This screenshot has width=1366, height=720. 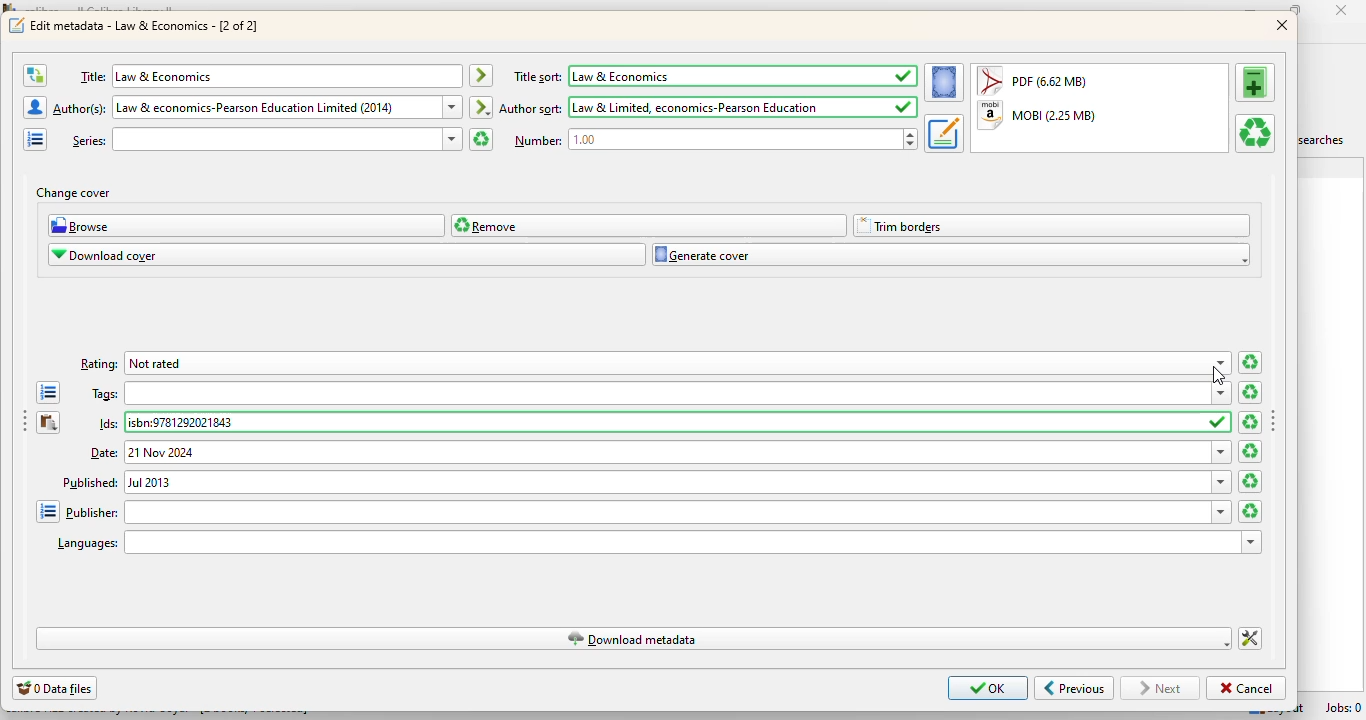 I want to click on published, so click(x=645, y=482).